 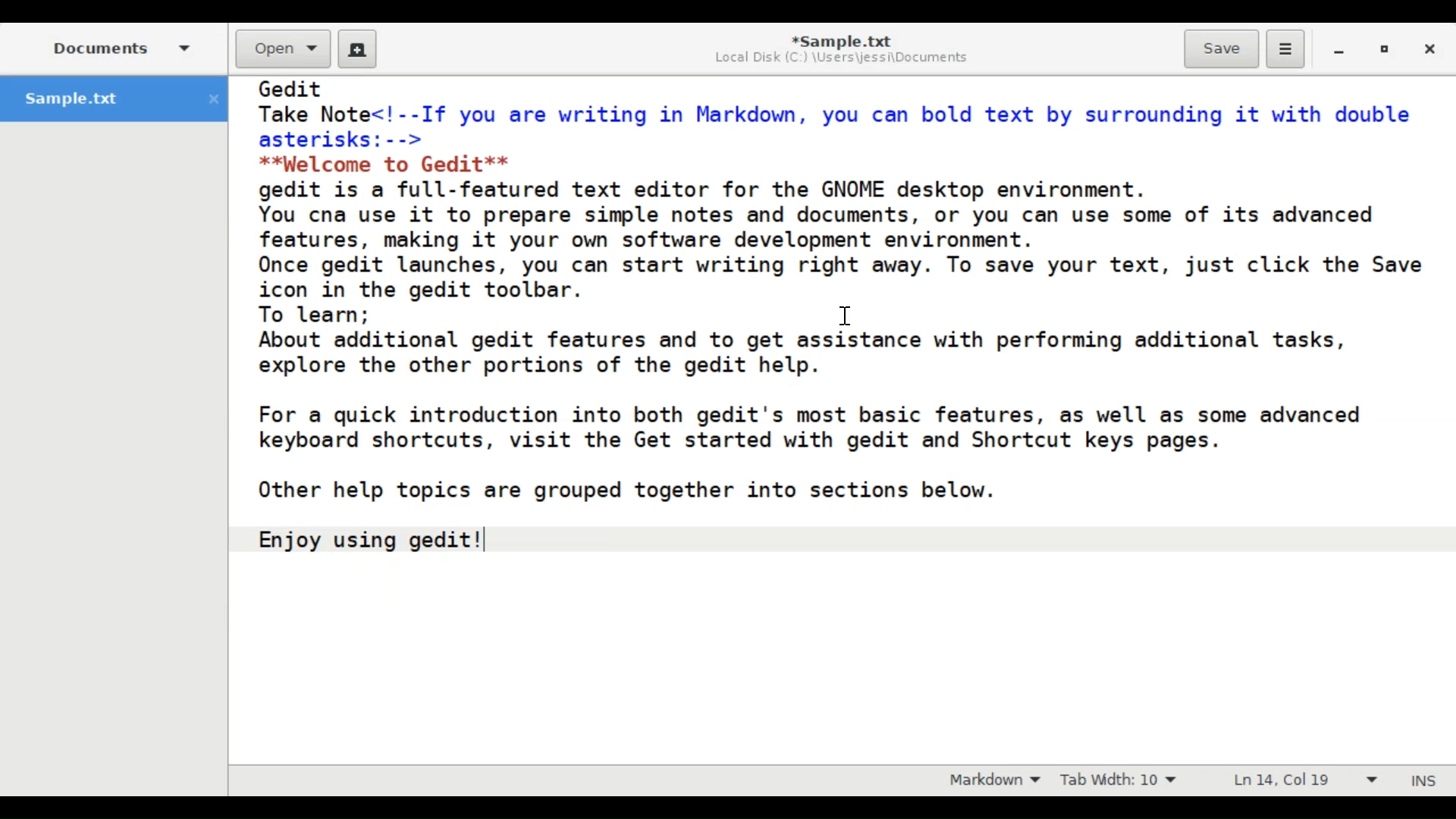 What do you see at coordinates (1220, 50) in the screenshot?
I see `Save` at bounding box center [1220, 50].